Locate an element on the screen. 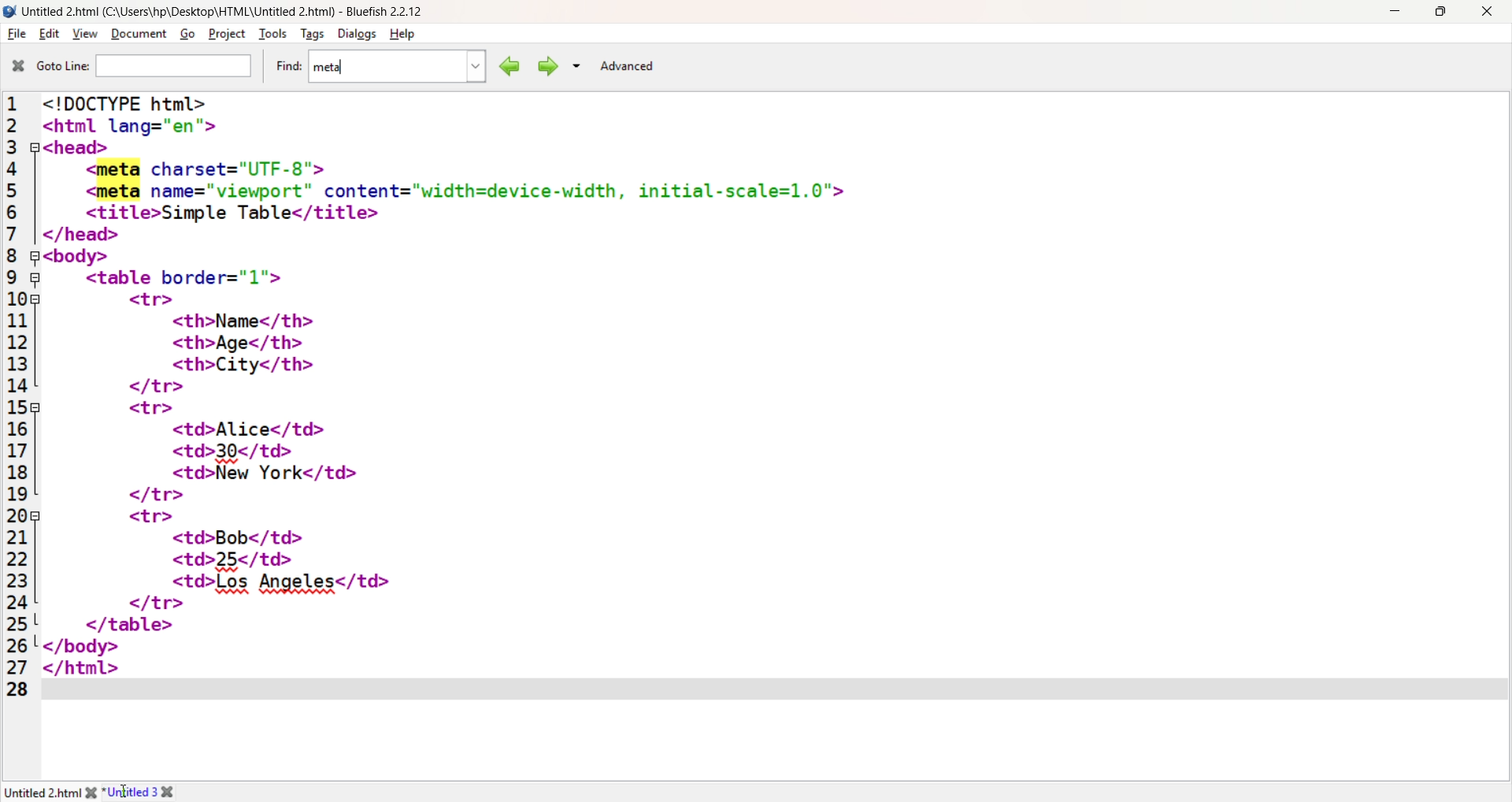  File is located at coordinates (16, 34).